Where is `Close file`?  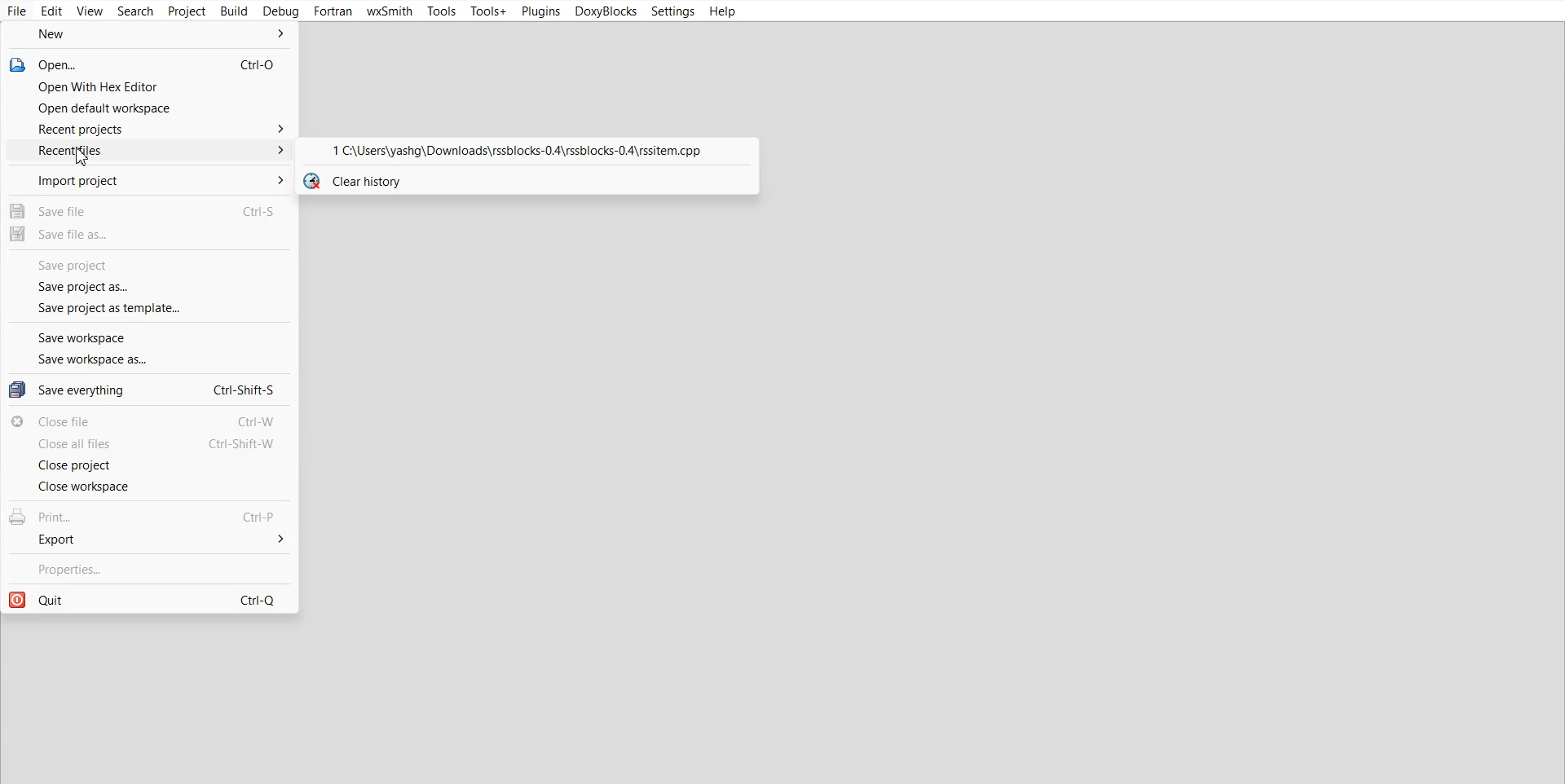
Close file is located at coordinates (150, 421).